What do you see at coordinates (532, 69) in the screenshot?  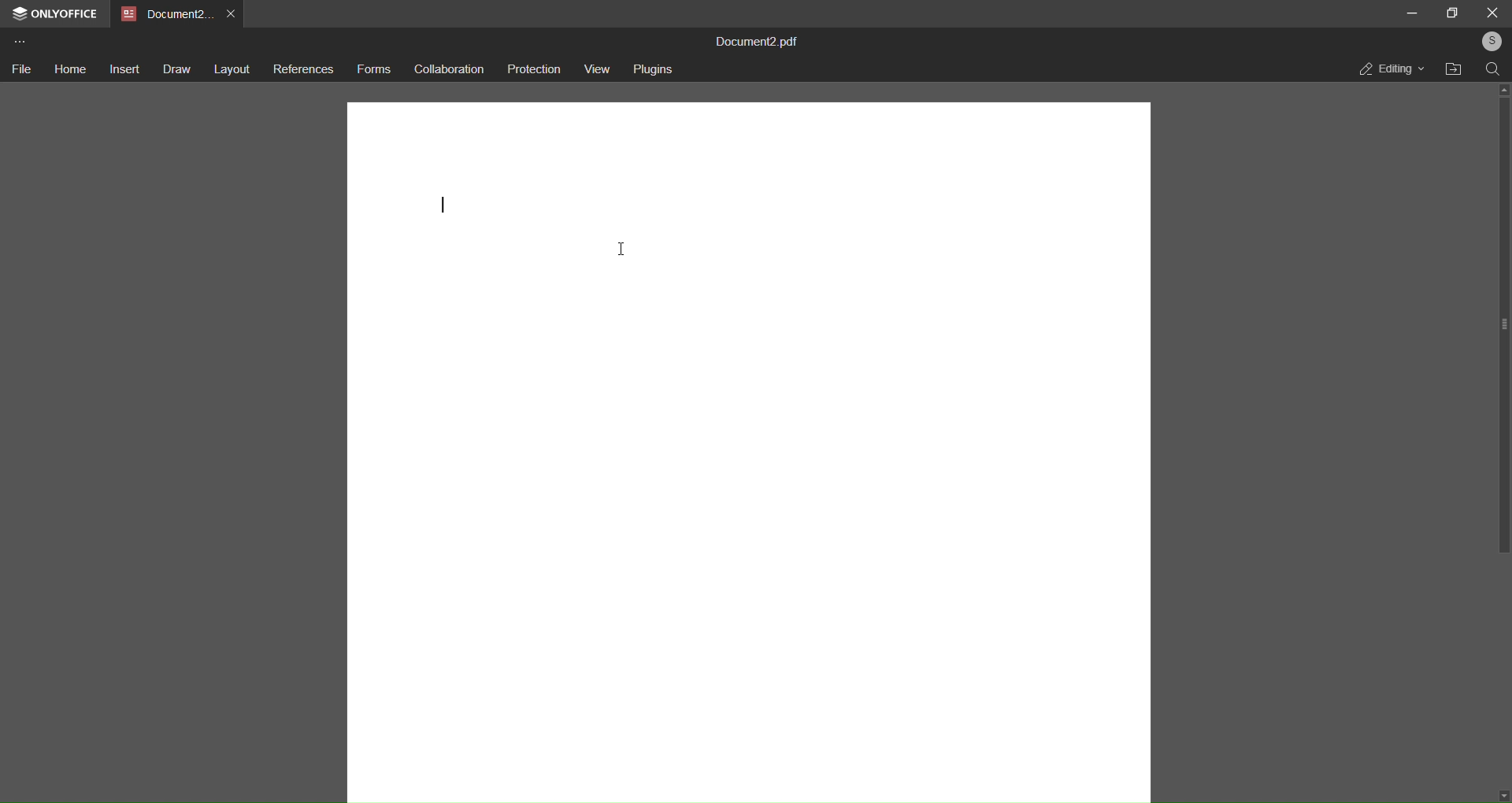 I see `protection` at bounding box center [532, 69].